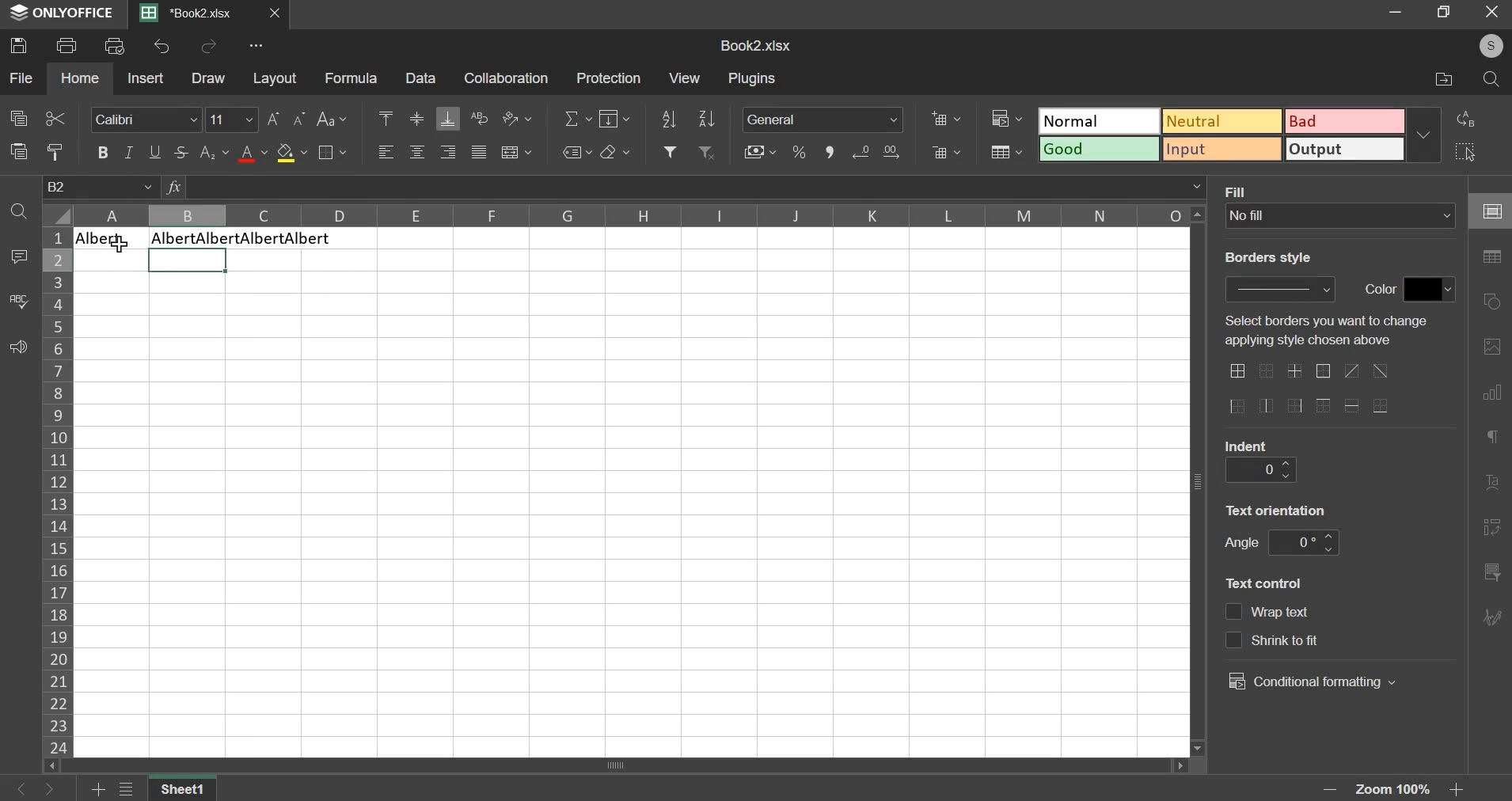 The width and height of the screenshot is (1512, 801). Describe the element at coordinates (193, 14) in the screenshot. I see `current sheet` at that location.